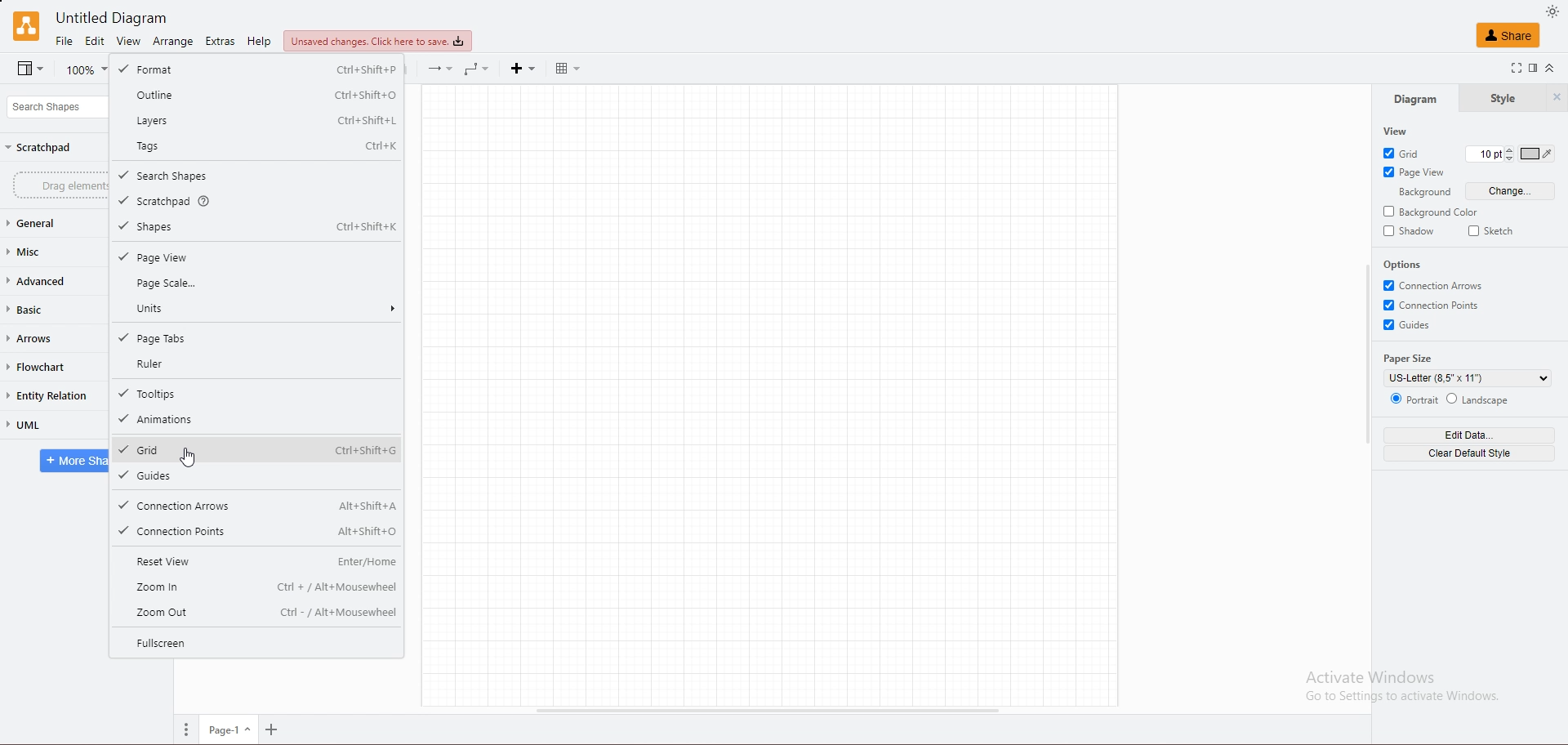  Describe the element at coordinates (256, 475) in the screenshot. I see `guides` at that location.